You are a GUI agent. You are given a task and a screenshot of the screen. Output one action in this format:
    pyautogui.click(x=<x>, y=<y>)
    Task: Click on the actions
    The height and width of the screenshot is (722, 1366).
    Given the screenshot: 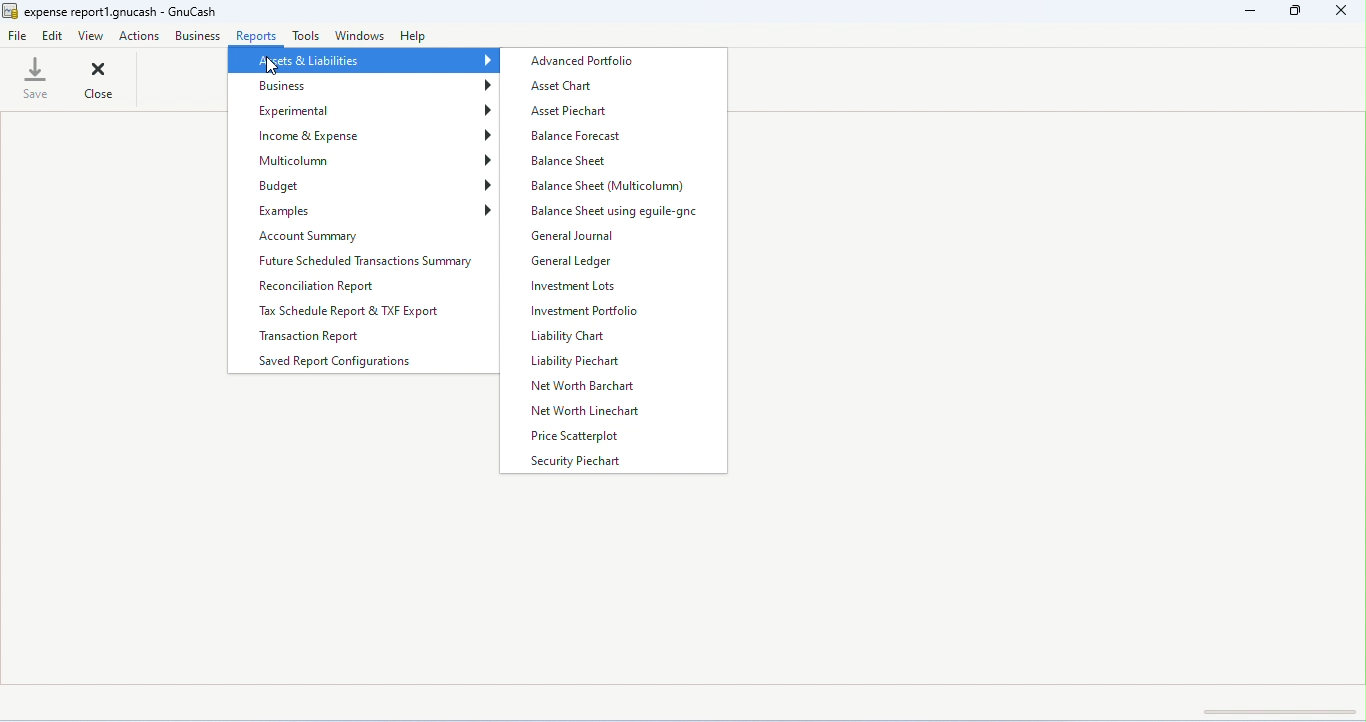 What is the action you would take?
    pyautogui.click(x=141, y=36)
    